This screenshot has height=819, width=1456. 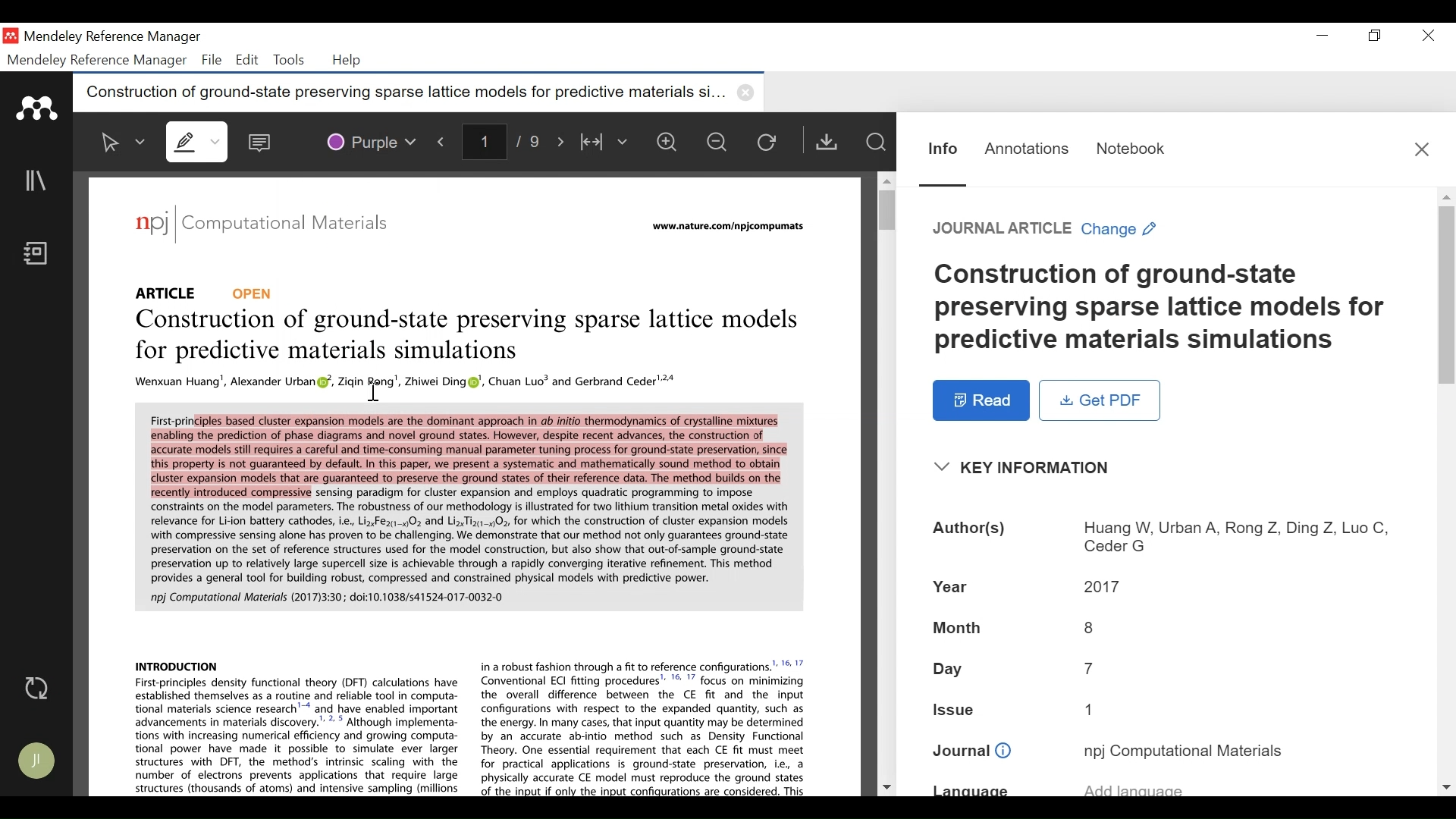 What do you see at coordinates (352, 61) in the screenshot?
I see `Help` at bounding box center [352, 61].